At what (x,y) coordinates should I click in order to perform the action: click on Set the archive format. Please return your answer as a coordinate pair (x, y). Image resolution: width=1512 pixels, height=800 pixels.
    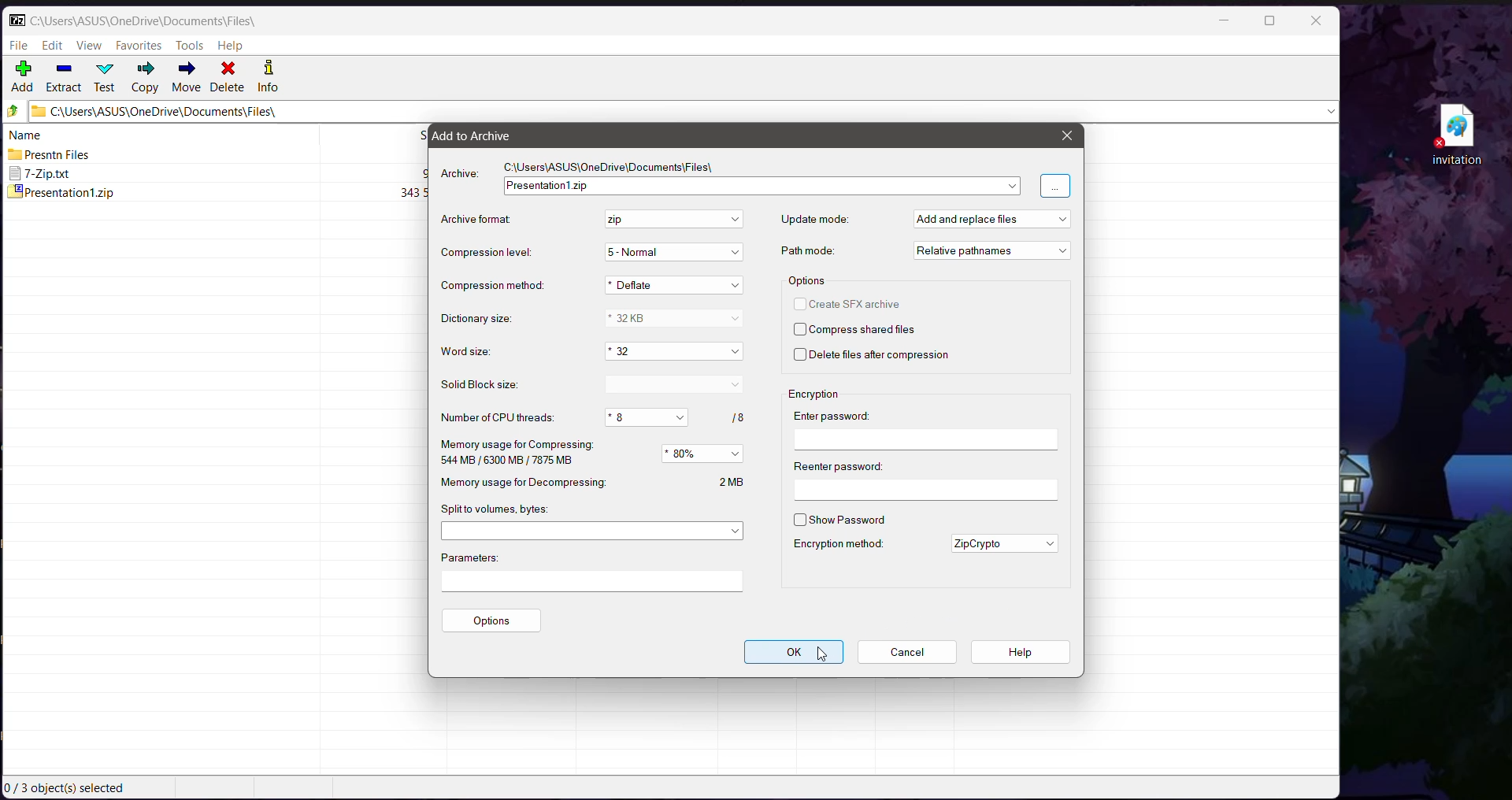
    Looking at the image, I should click on (671, 220).